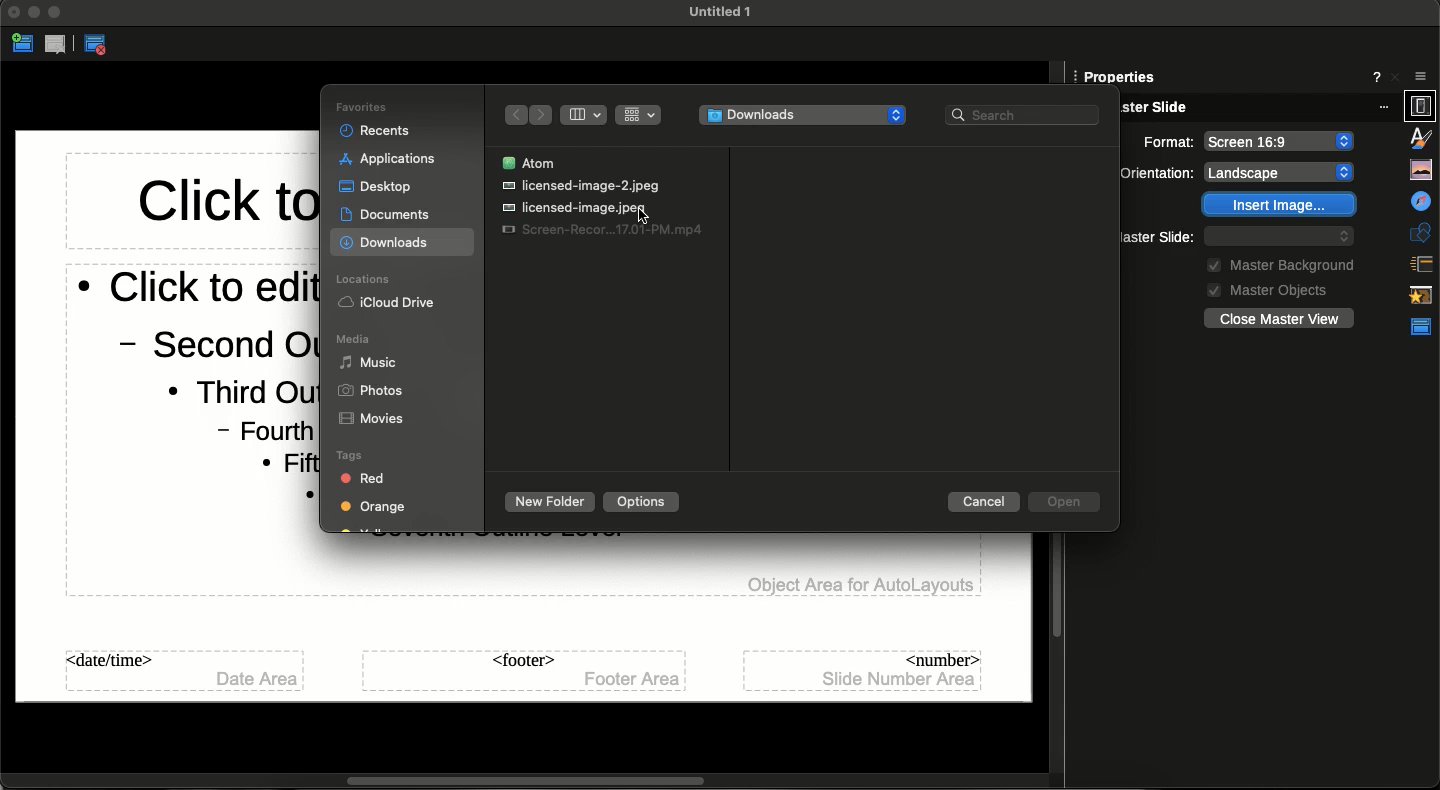 The height and width of the screenshot is (790, 1440). I want to click on Shapes, so click(1421, 198).